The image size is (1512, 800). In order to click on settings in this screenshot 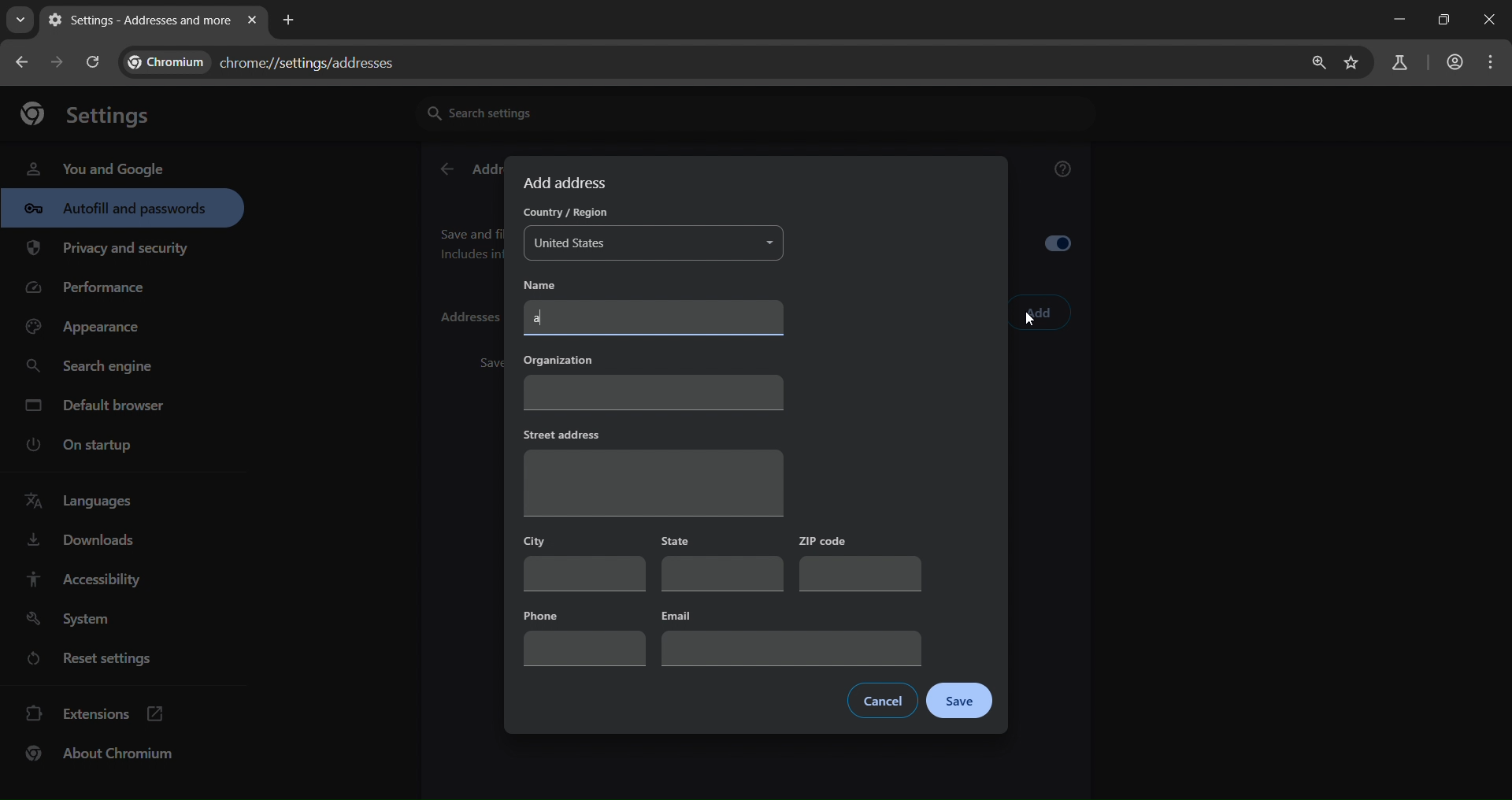, I will do `click(94, 113)`.